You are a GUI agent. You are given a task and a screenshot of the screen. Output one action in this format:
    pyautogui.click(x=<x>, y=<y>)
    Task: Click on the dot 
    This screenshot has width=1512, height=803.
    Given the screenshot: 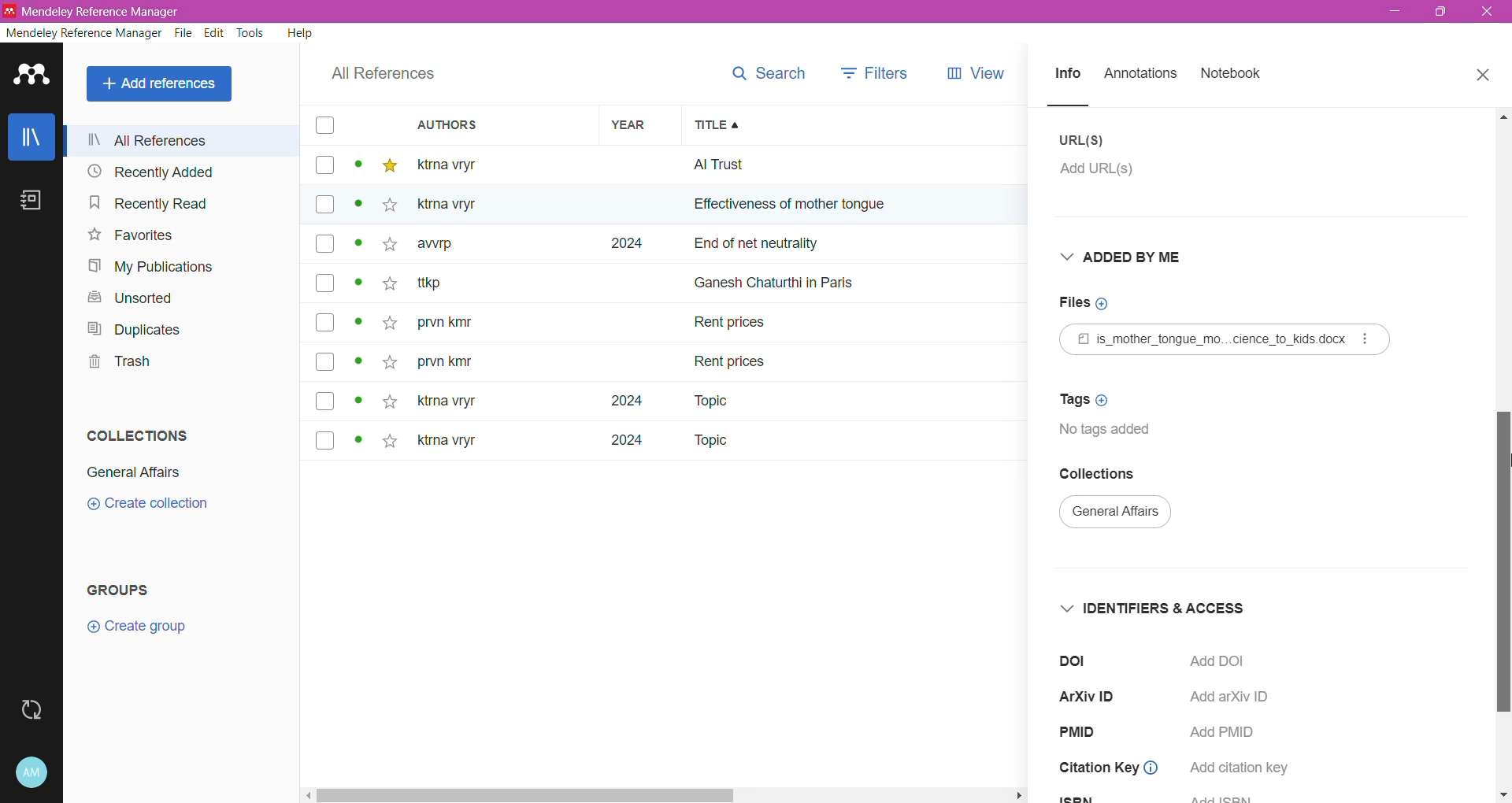 What is the action you would take?
    pyautogui.click(x=358, y=366)
    